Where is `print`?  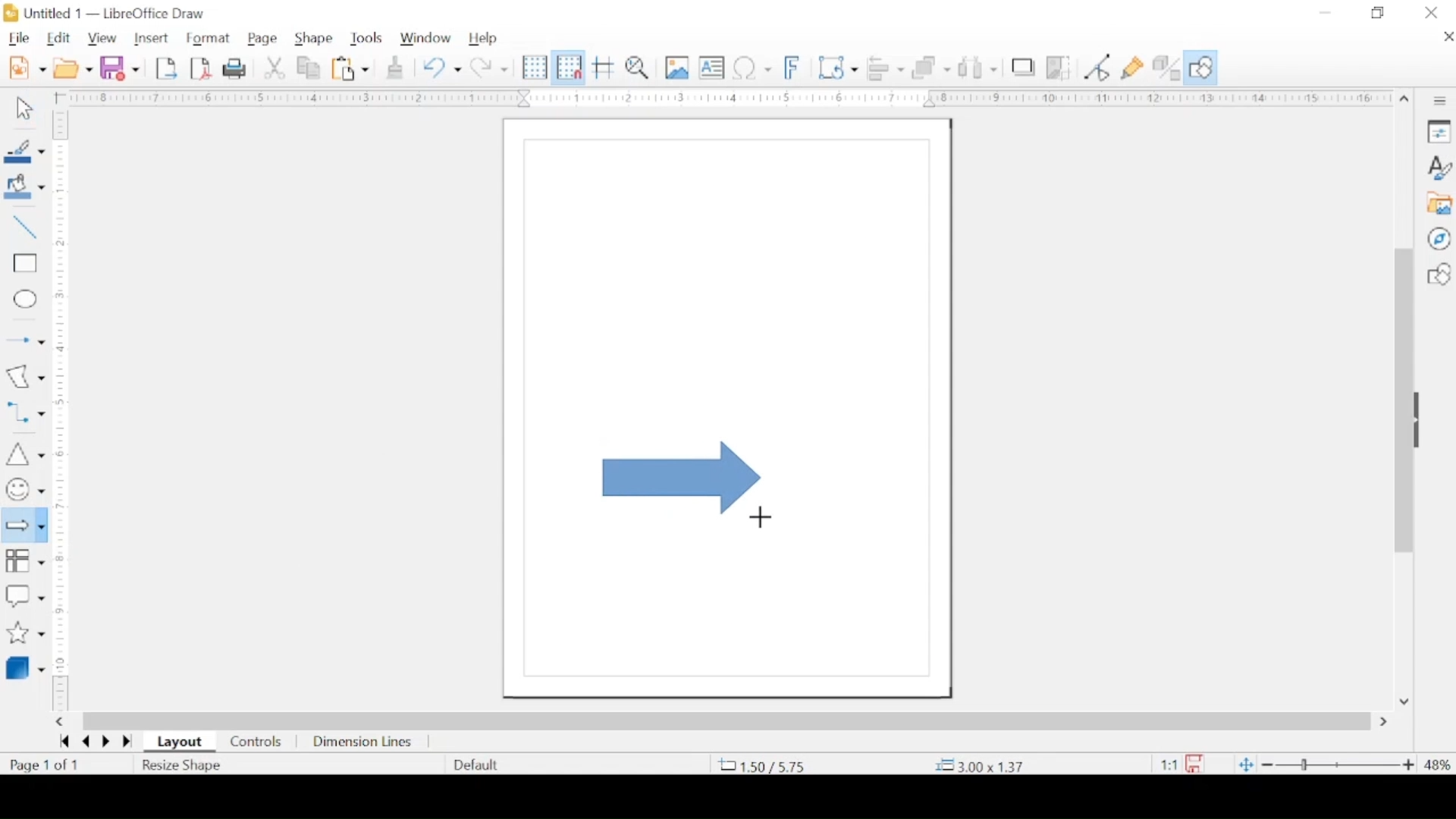
print is located at coordinates (237, 68).